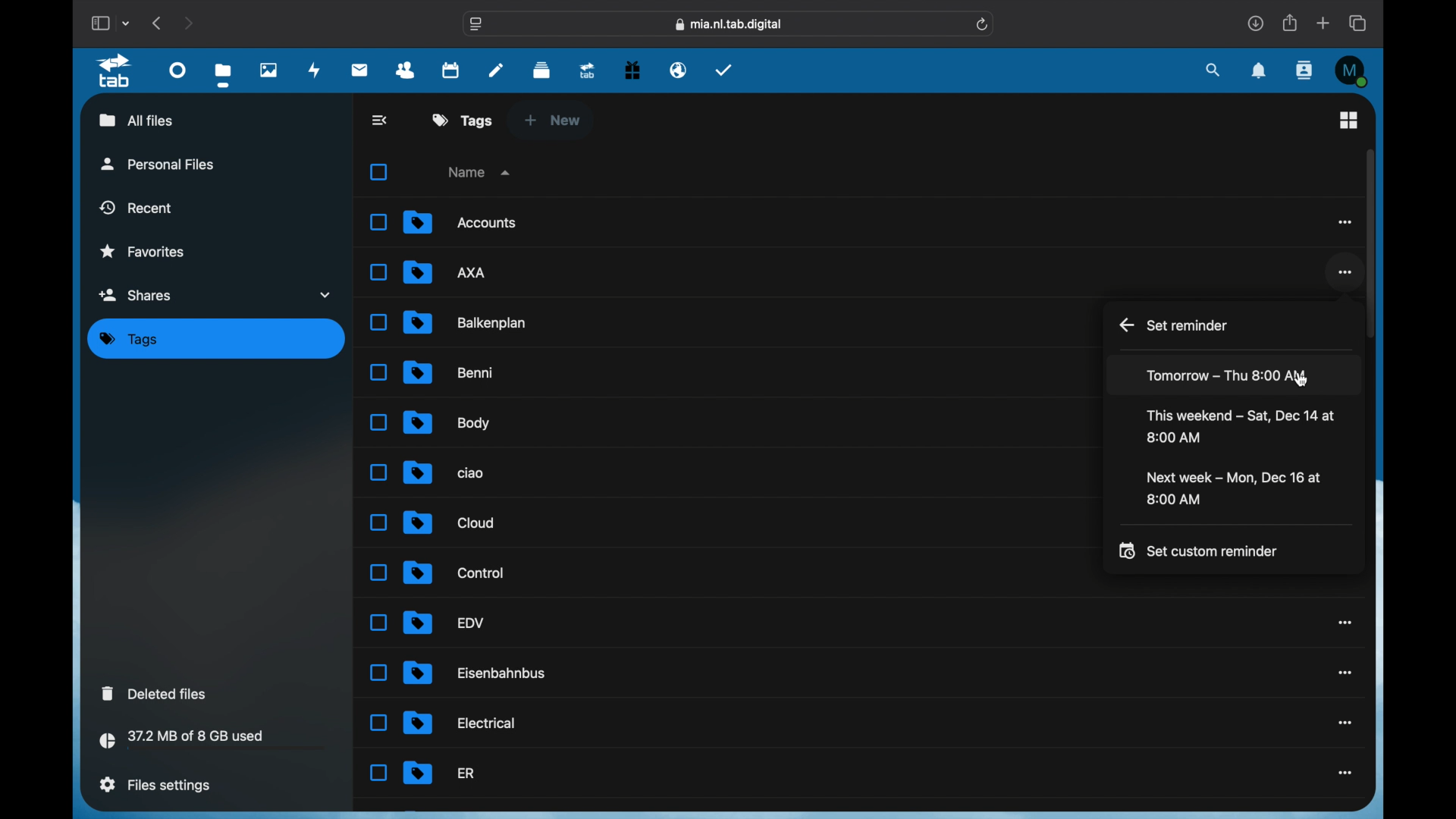 The height and width of the screenshot is (819, 1456). Describe the element at coordinates (117, 71) in the screenshot. I see `tab` at that location.